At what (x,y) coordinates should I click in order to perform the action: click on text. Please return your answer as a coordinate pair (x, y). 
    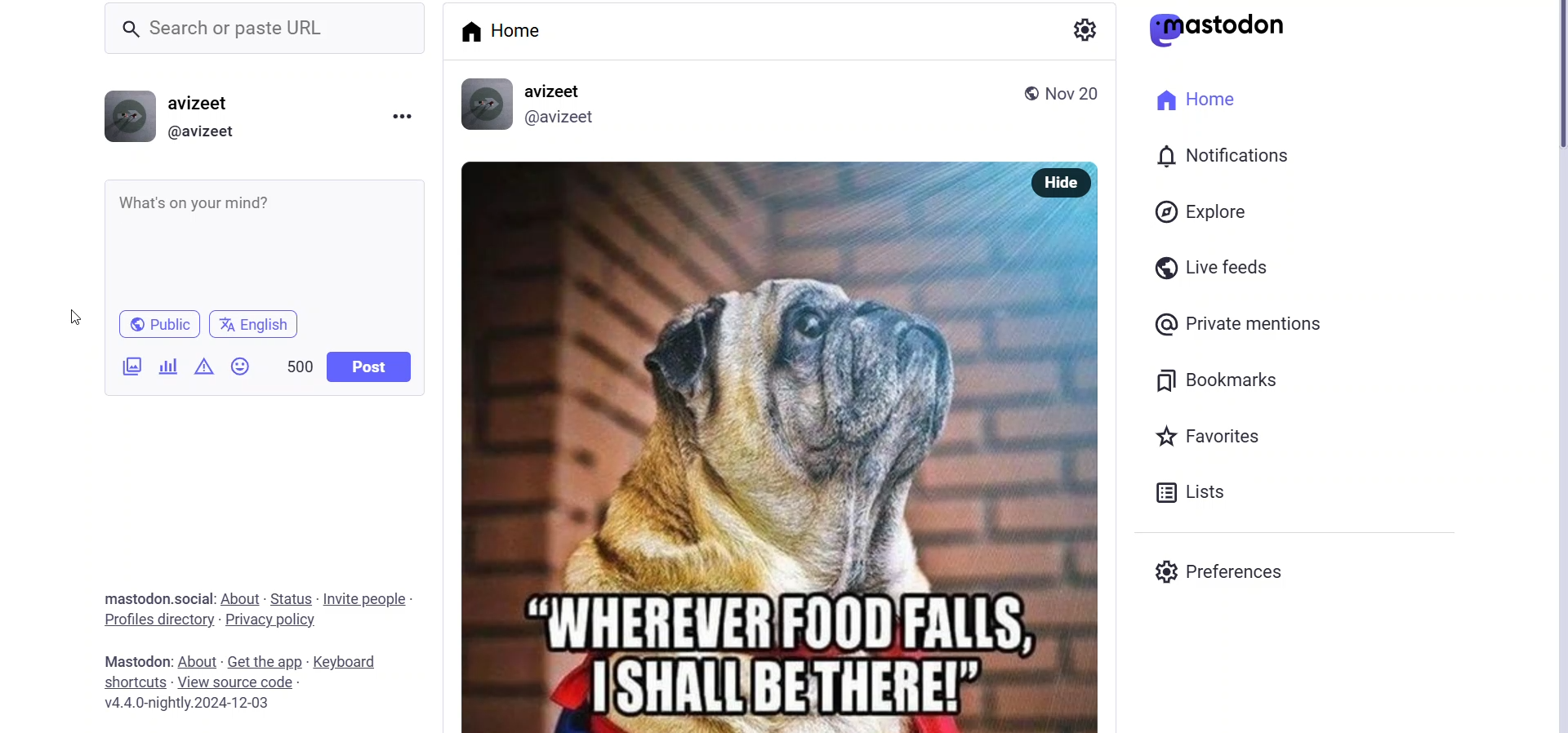
    Looking at the image, I should click on (132, 660).